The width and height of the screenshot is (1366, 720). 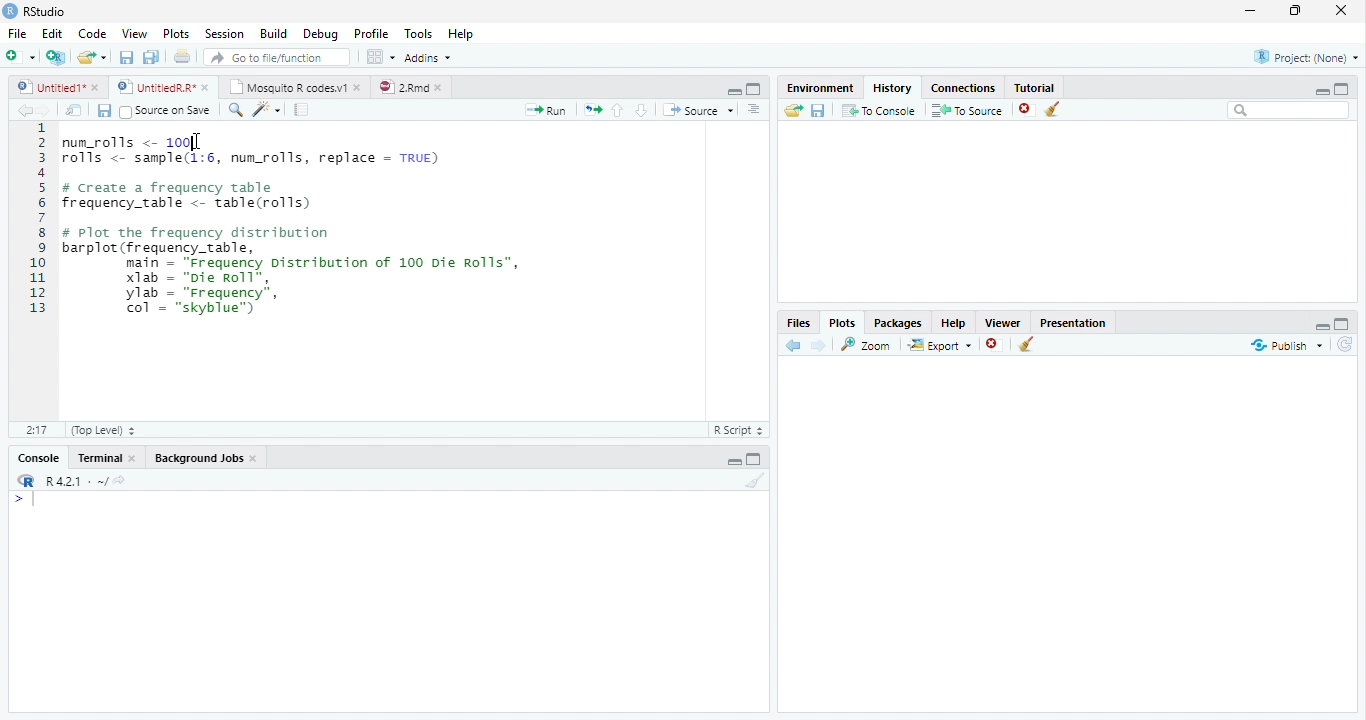 I want to click on Minimize Height, so click(x=1321, y=91).